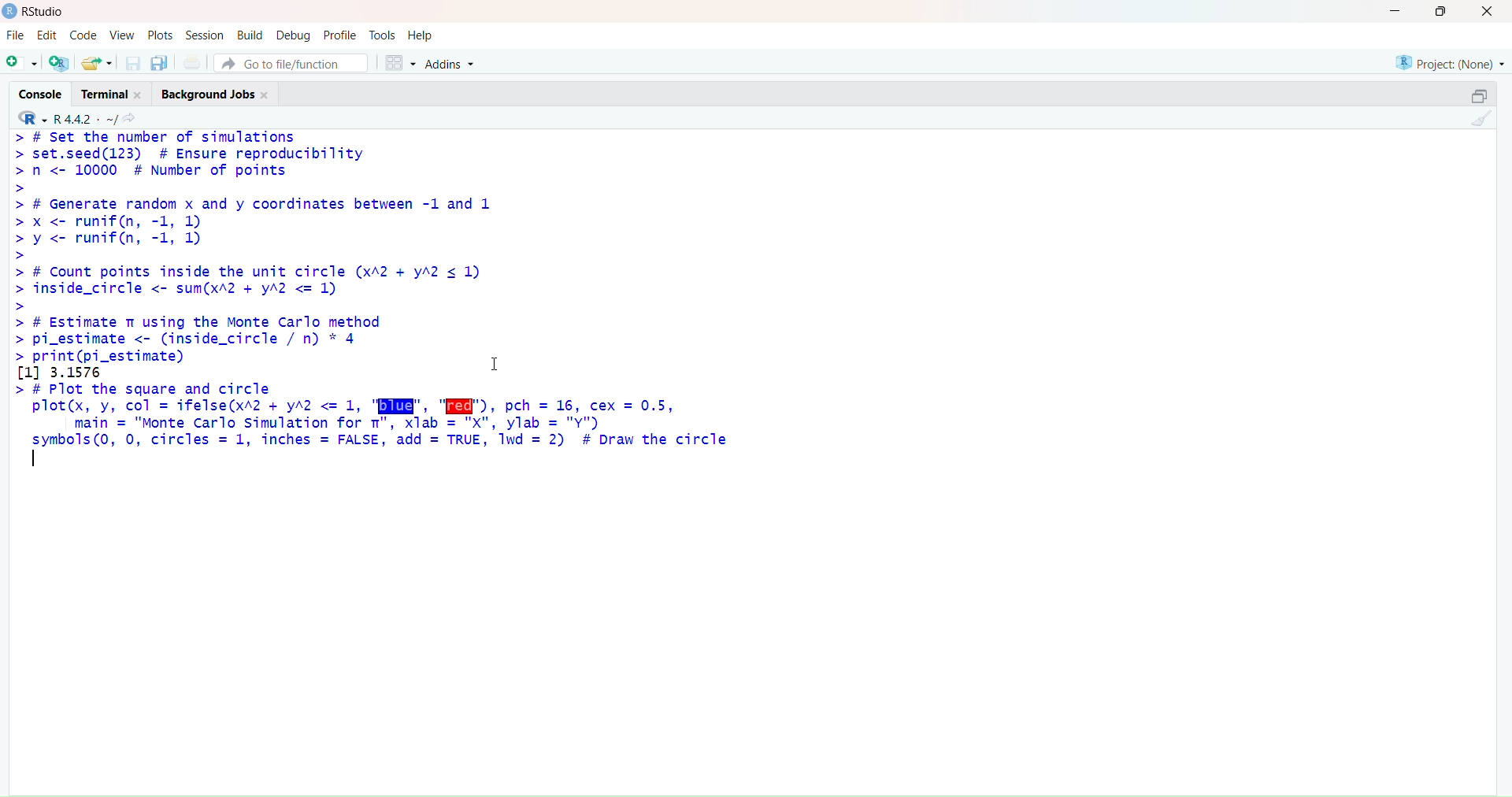 The image size is (1512, 797). I want to click on View, so click(121, 33).